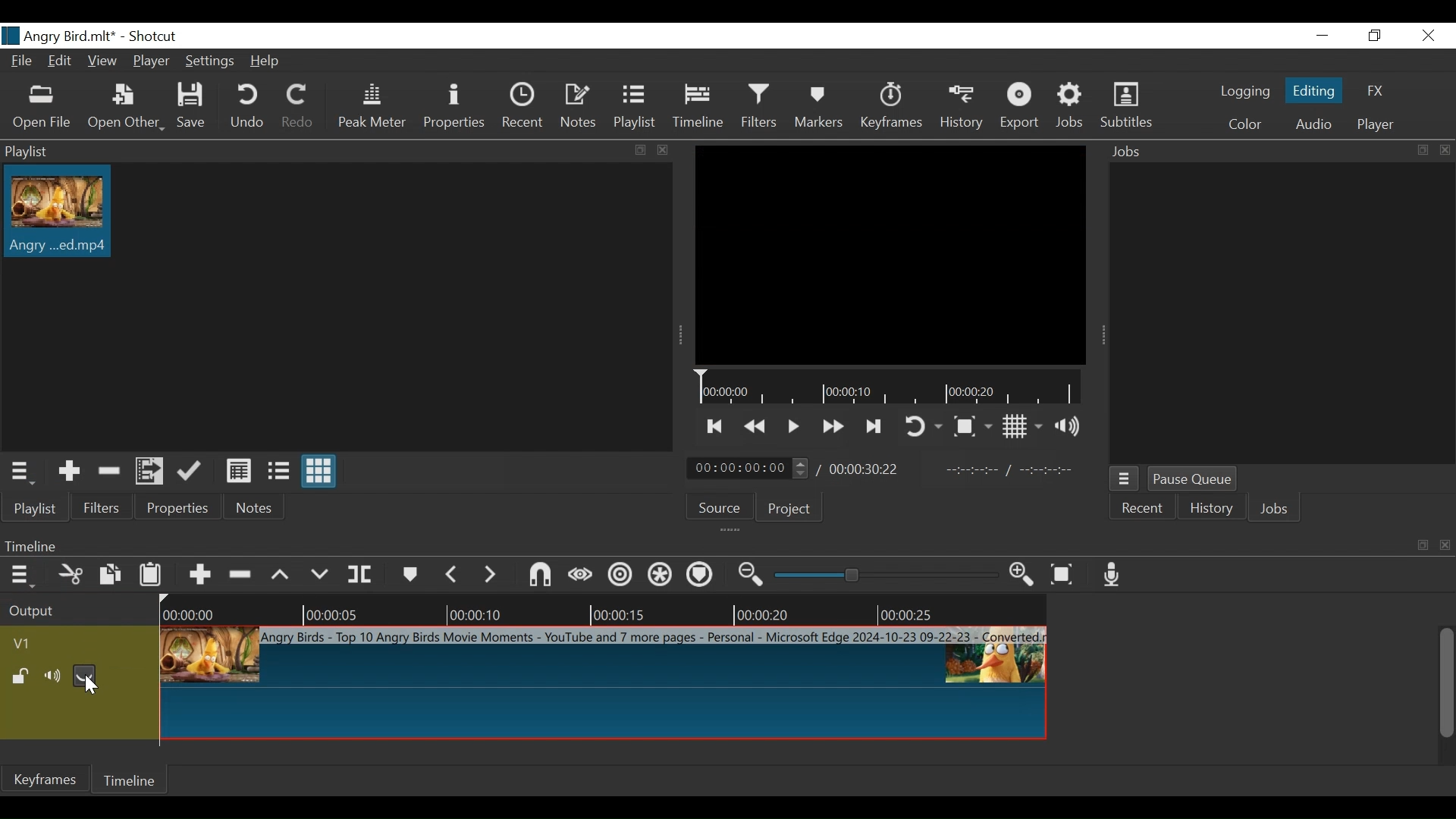  What do you see at coordinates (1246, 92) in the screenshot?
I see `logging` at bounding box center [1246, 92].